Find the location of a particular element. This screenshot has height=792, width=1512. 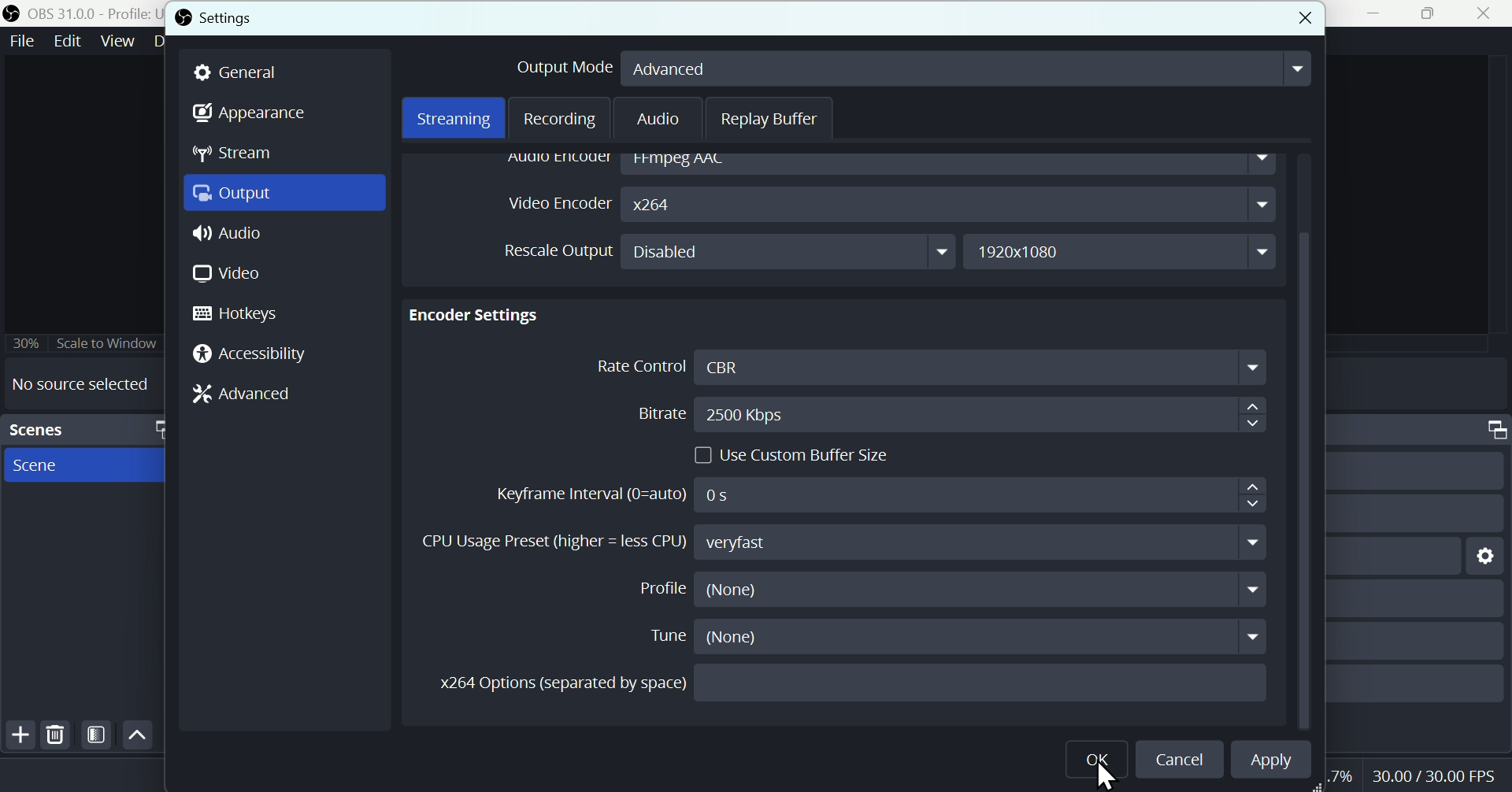

up is located at coordinates (138, 734).